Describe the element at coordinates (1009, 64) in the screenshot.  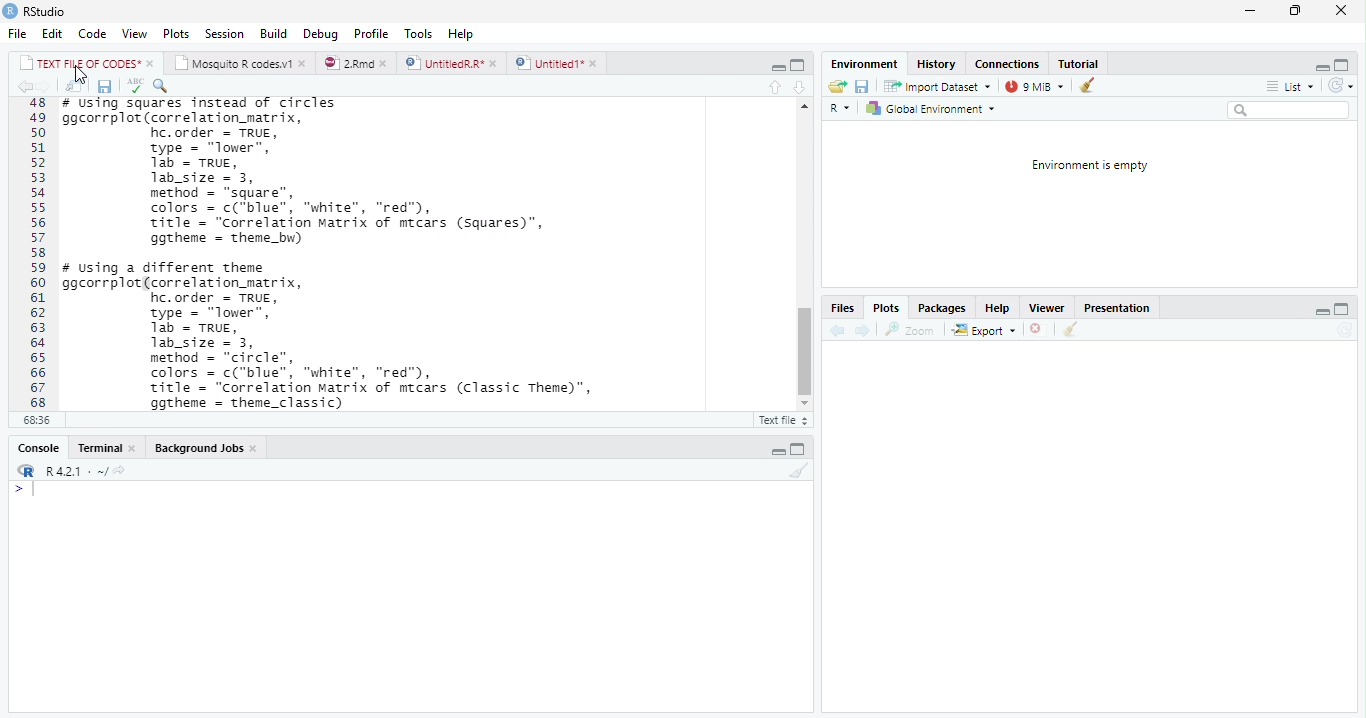
I see `connections` at that location.